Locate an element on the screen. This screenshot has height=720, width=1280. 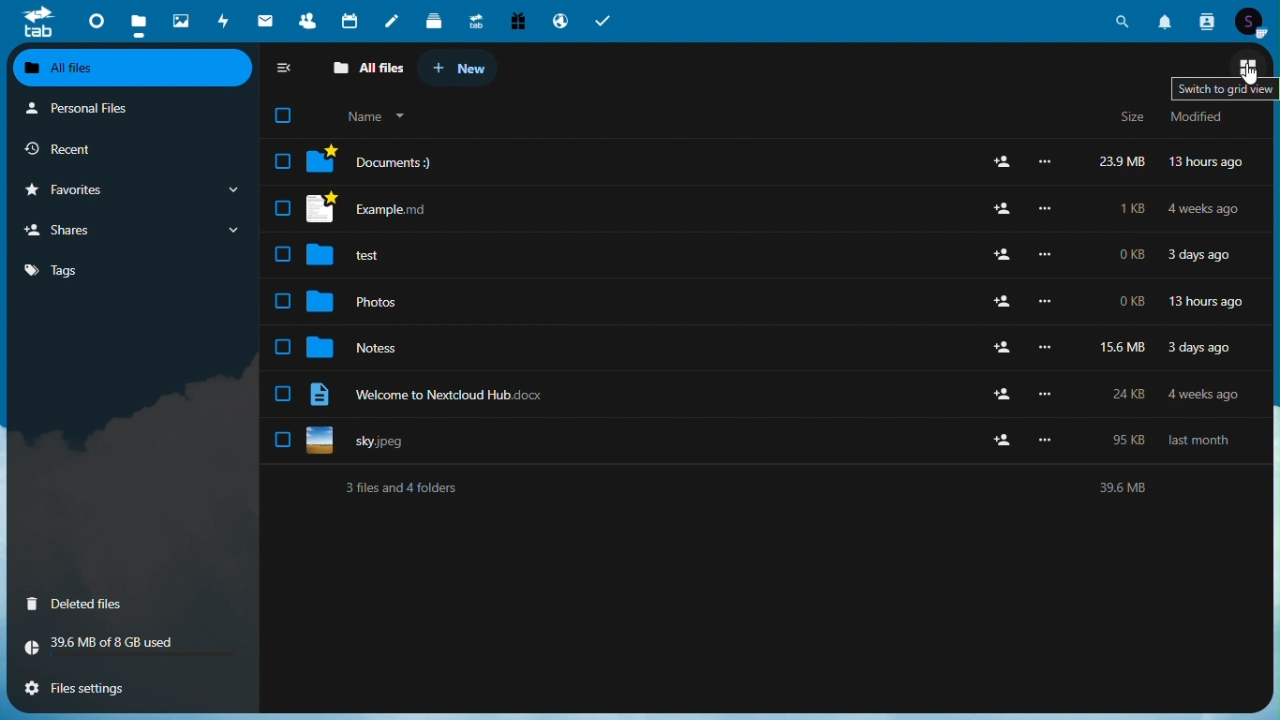
collapse sidebar is located at coordinates (286, 67).